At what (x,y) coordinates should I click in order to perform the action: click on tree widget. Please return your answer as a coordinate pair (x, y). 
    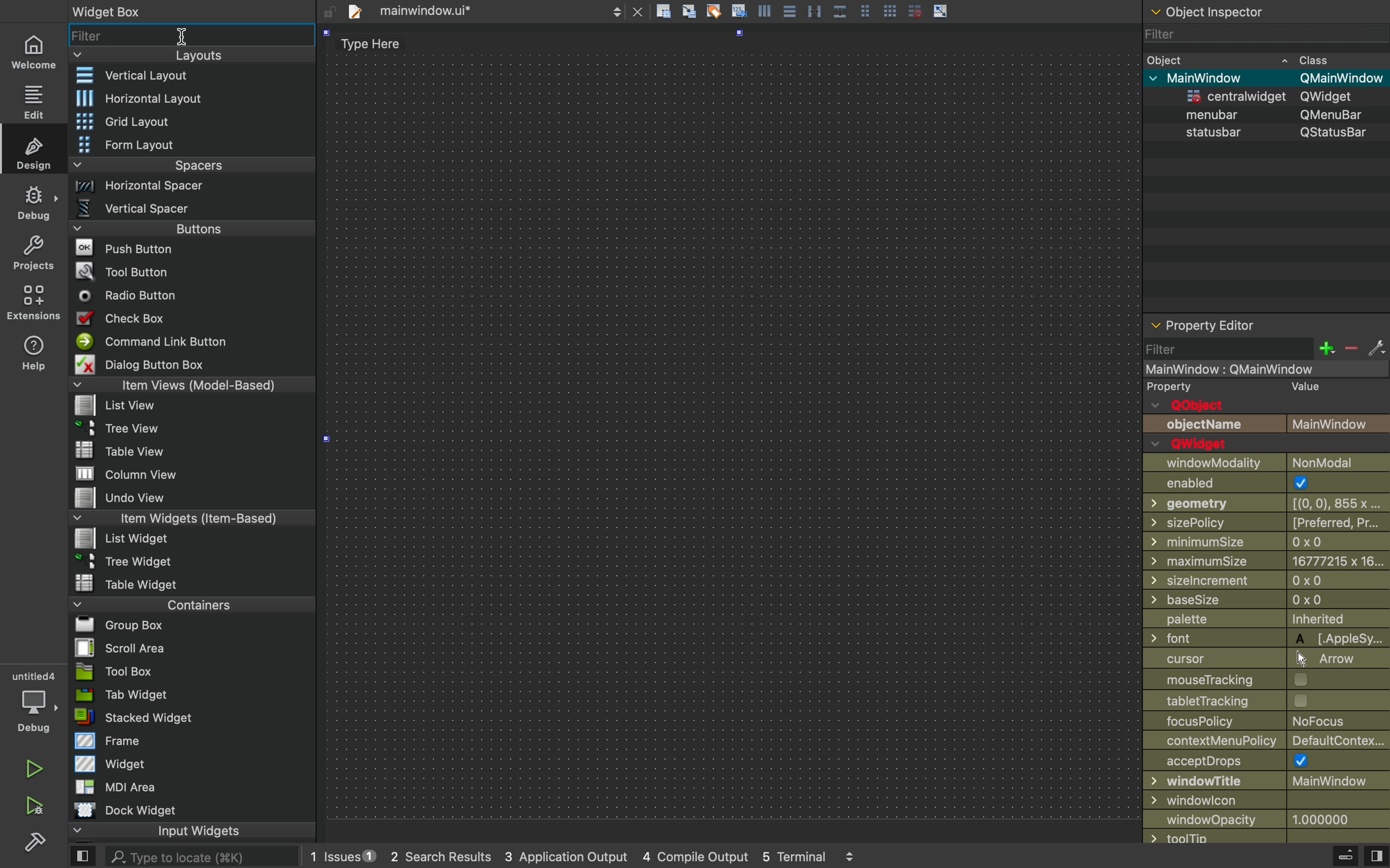
    Looking at the image, I should click on (194, 560).